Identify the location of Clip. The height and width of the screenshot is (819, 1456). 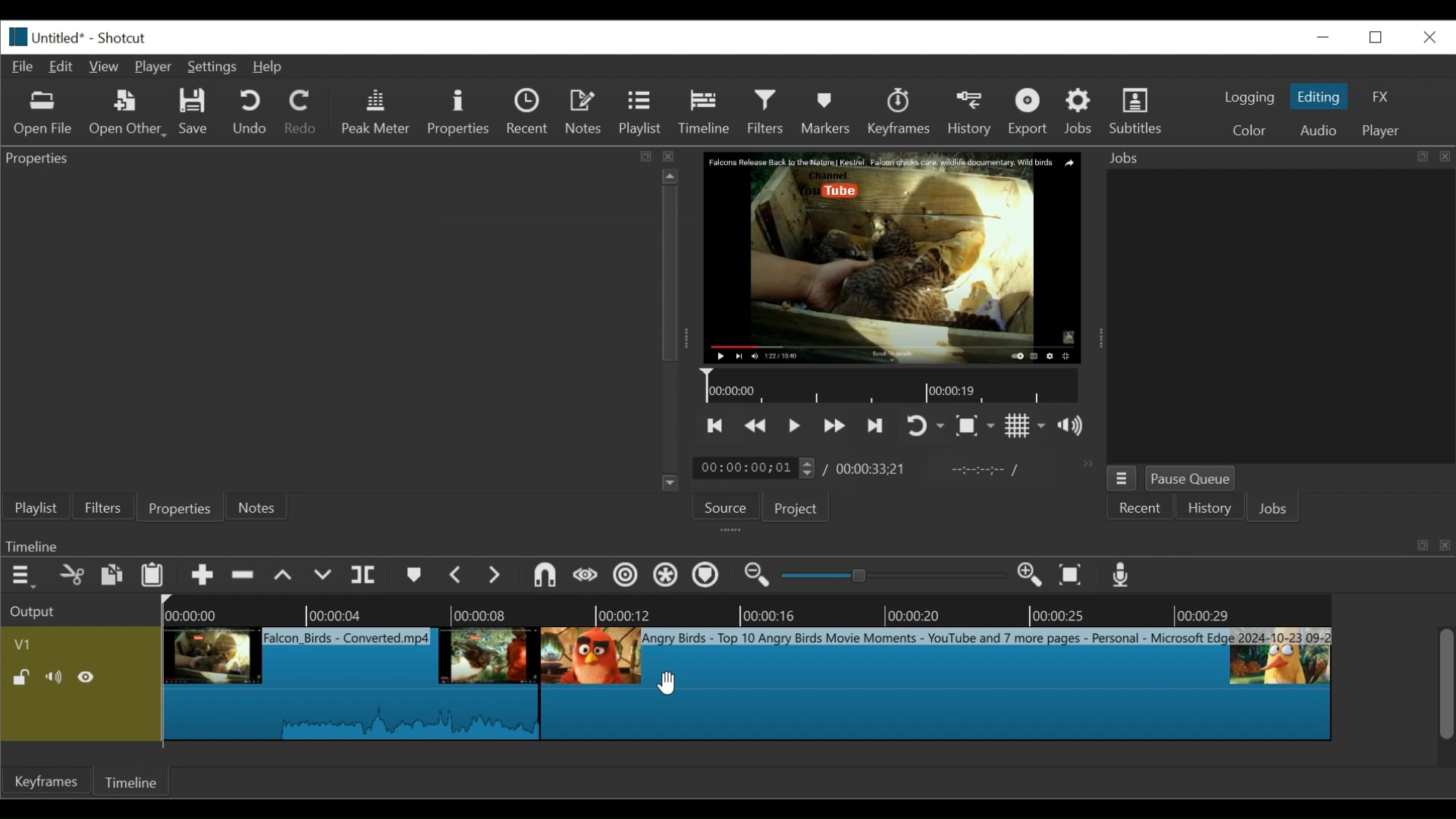
(353, 683).